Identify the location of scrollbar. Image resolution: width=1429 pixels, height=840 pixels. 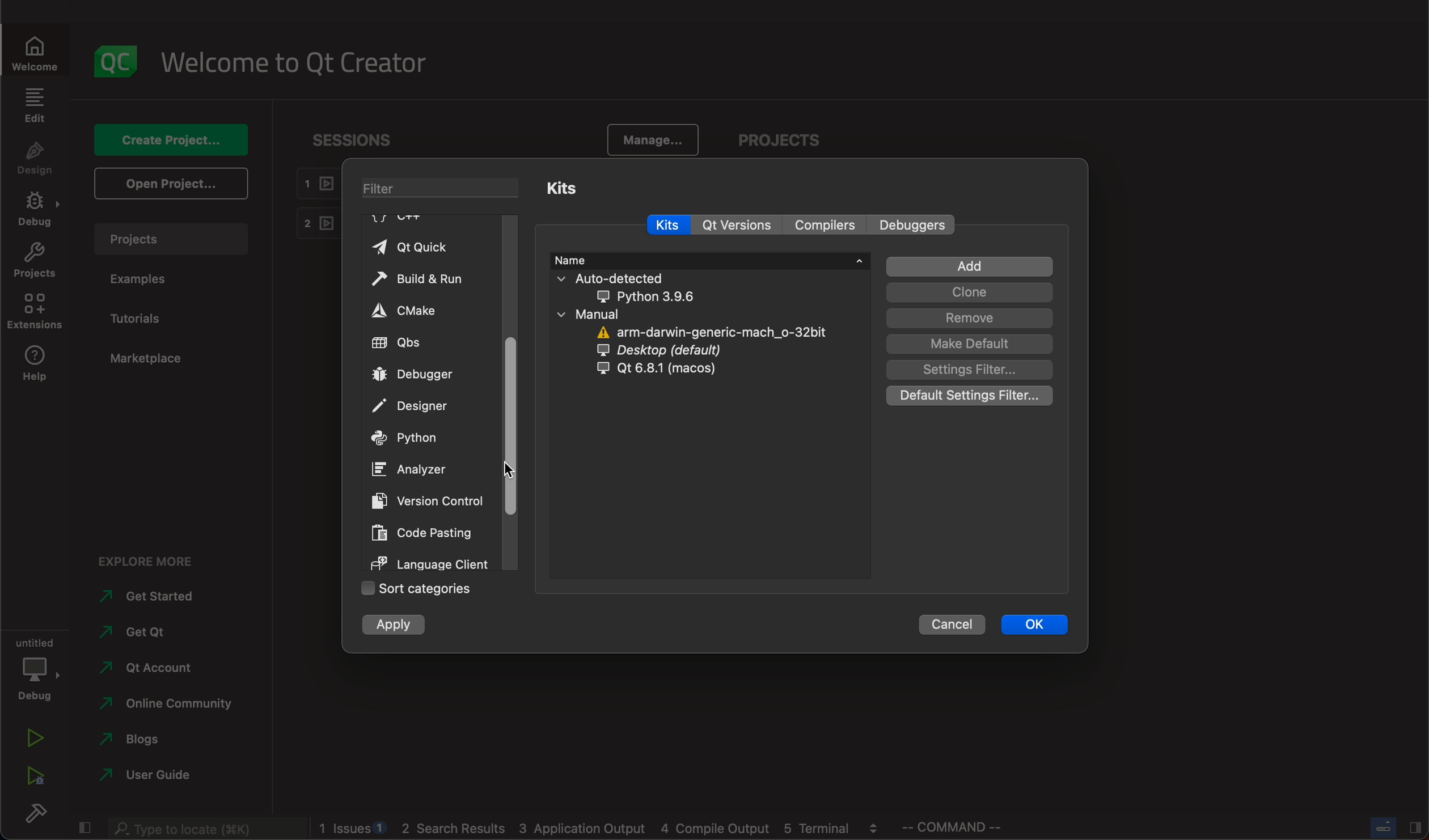
(511, 394).